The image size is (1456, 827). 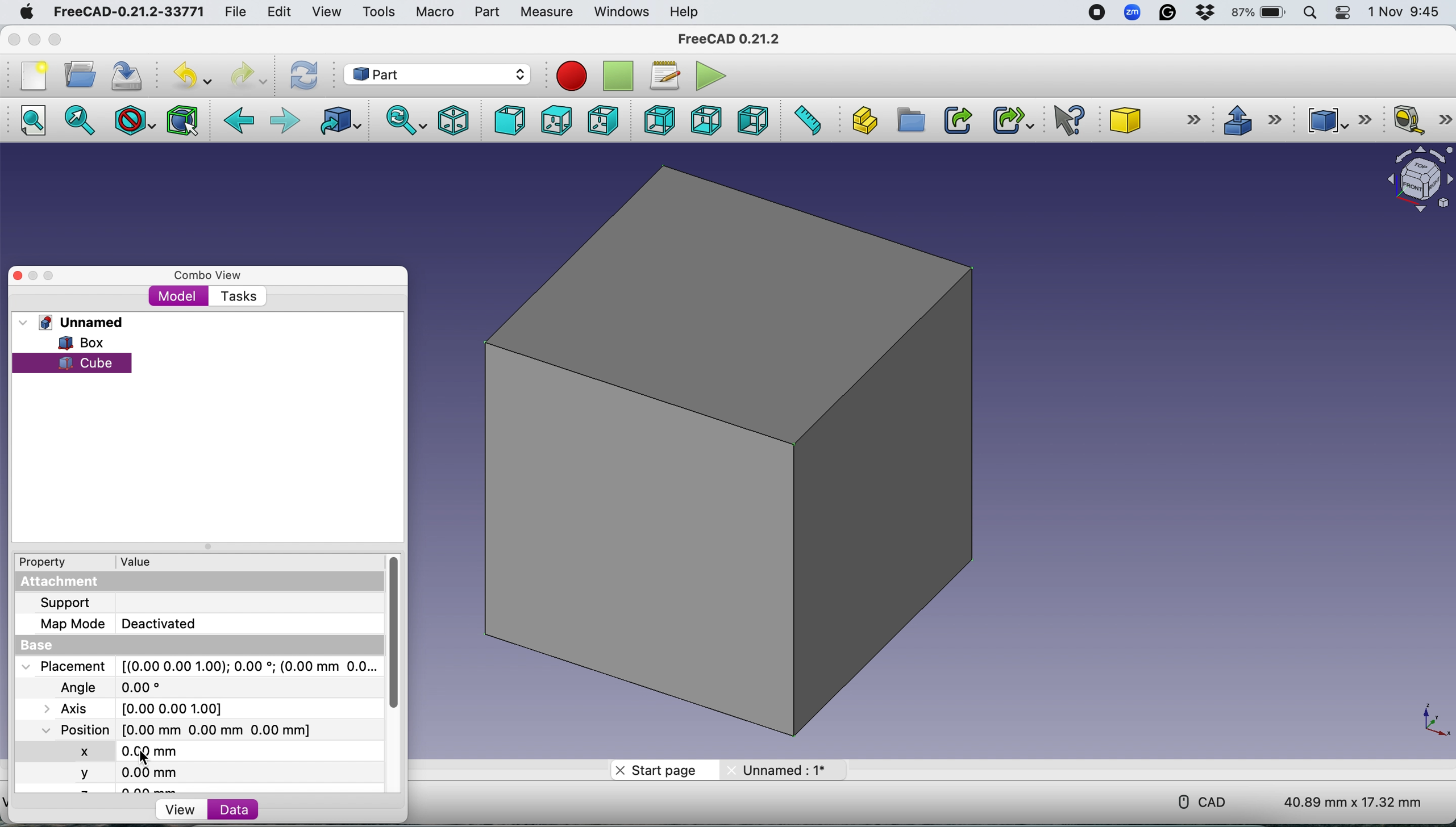 I want to click on File, so click(x=232, y=12).